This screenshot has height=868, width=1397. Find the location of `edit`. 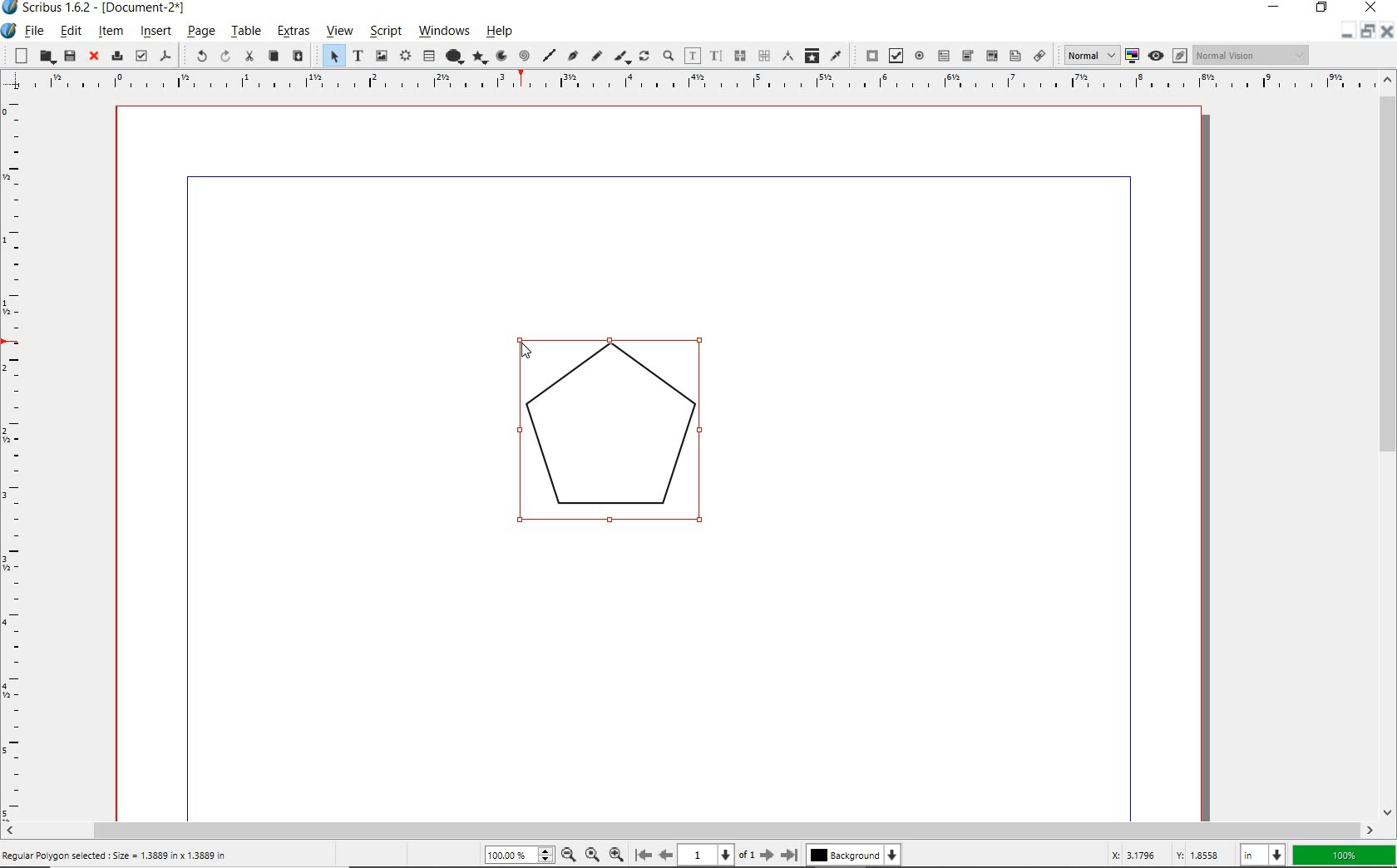

edit is located at coordinates (70, 30).